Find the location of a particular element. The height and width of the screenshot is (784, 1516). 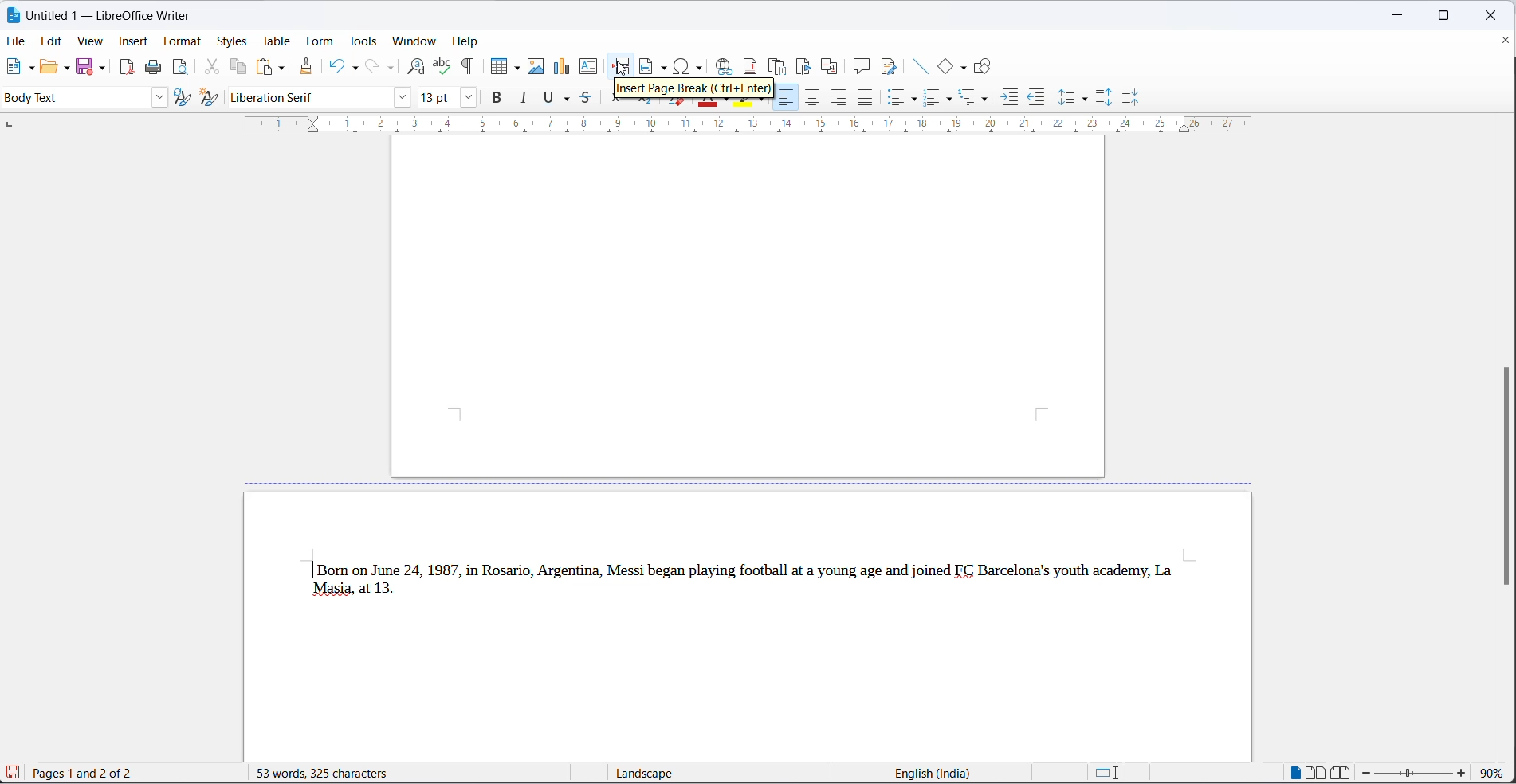

insert hyperlink is located at coordinates (722, 67).